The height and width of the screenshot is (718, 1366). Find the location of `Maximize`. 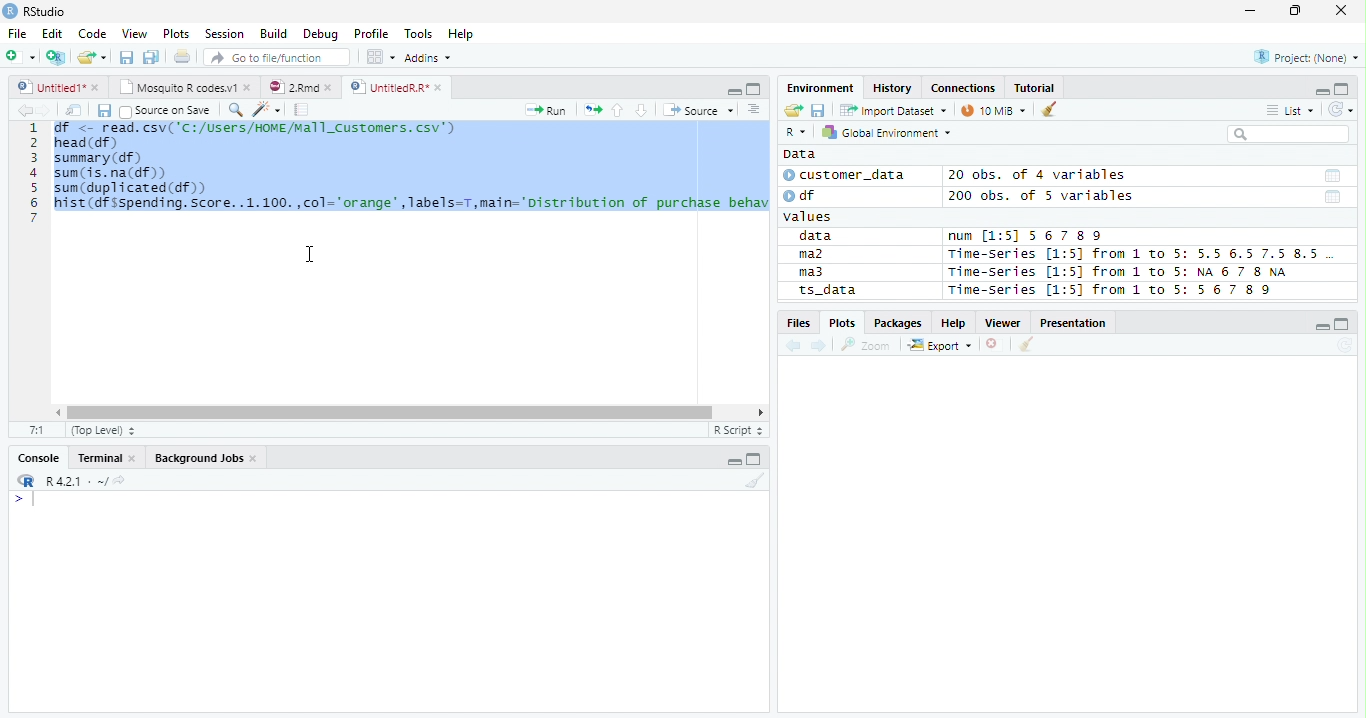

Maximize is located at coordinates (753, 88).